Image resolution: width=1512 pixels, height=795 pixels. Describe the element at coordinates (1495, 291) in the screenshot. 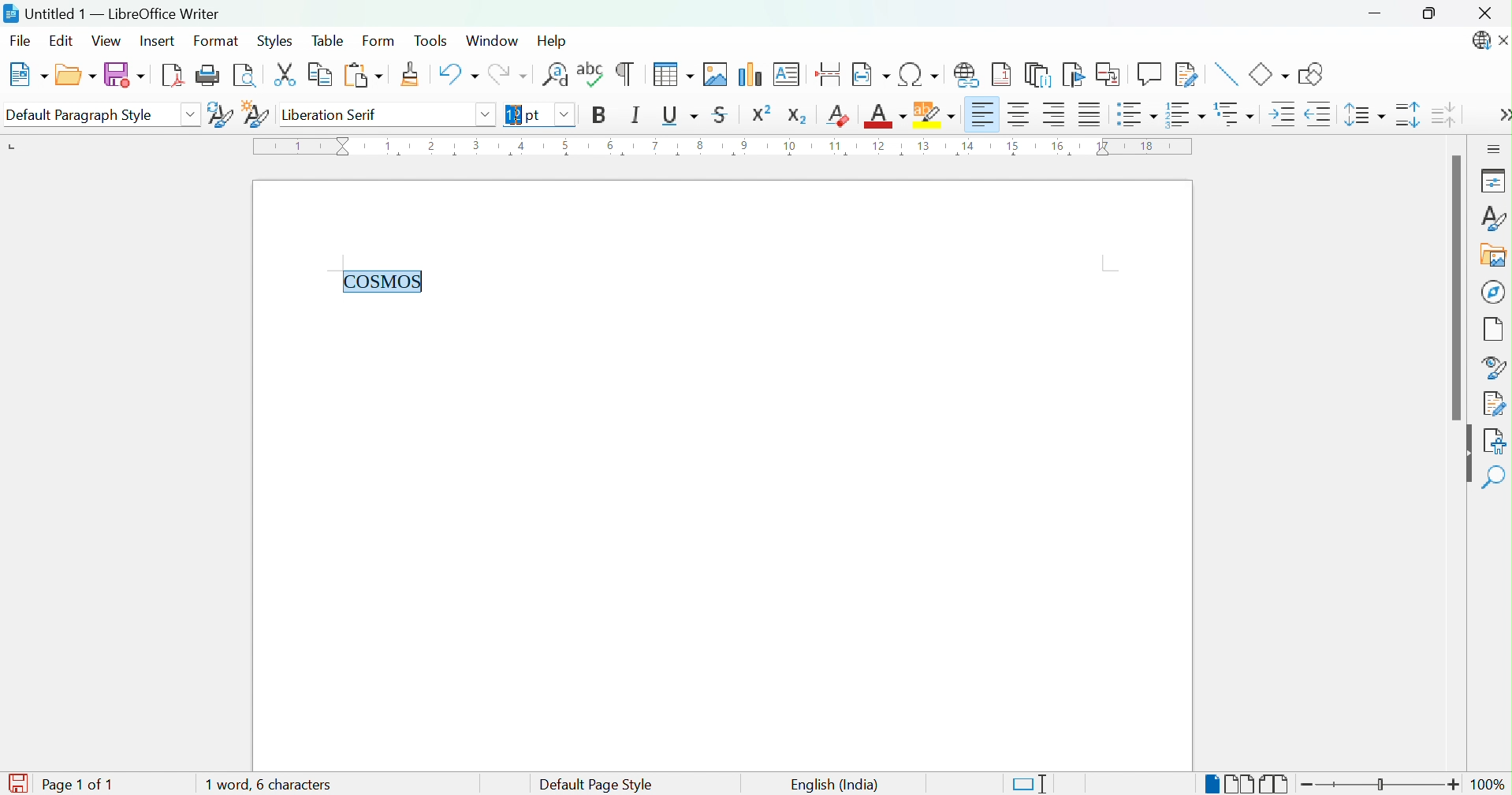

I see `Navigator` at that location.